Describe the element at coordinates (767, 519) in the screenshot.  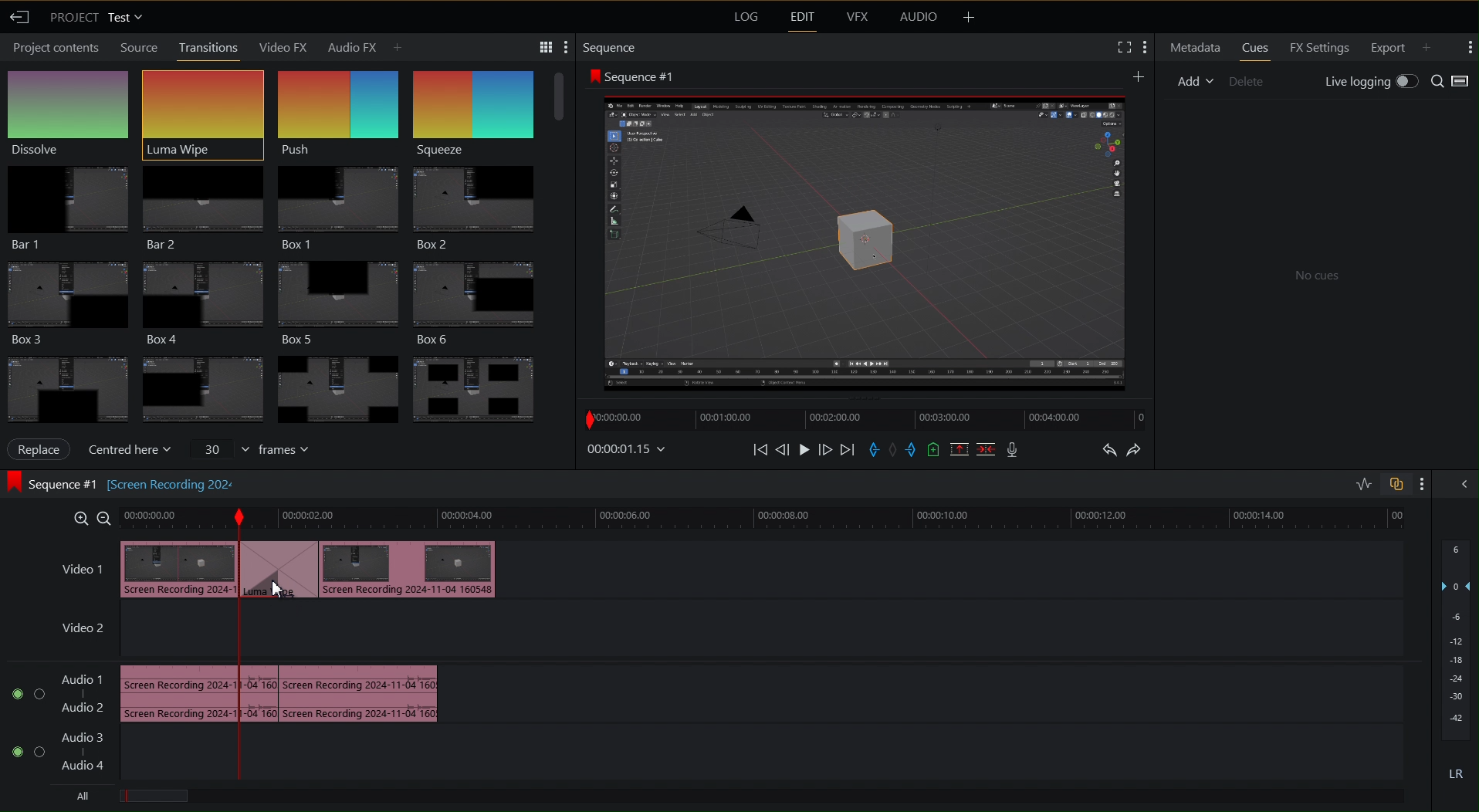
I see `Timeline` at that location.